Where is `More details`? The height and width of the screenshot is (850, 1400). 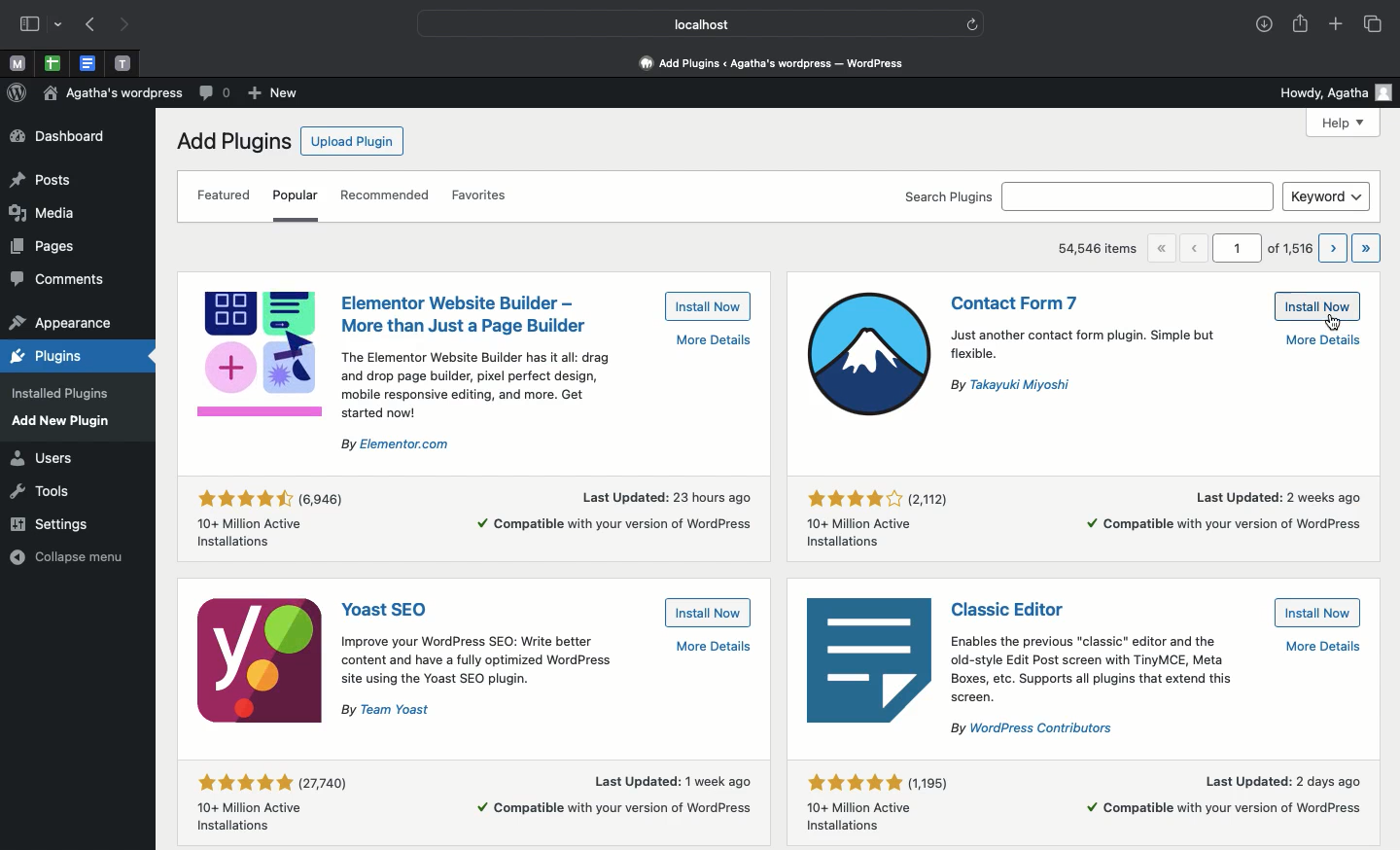 More details is located at coordinates (609, 795).